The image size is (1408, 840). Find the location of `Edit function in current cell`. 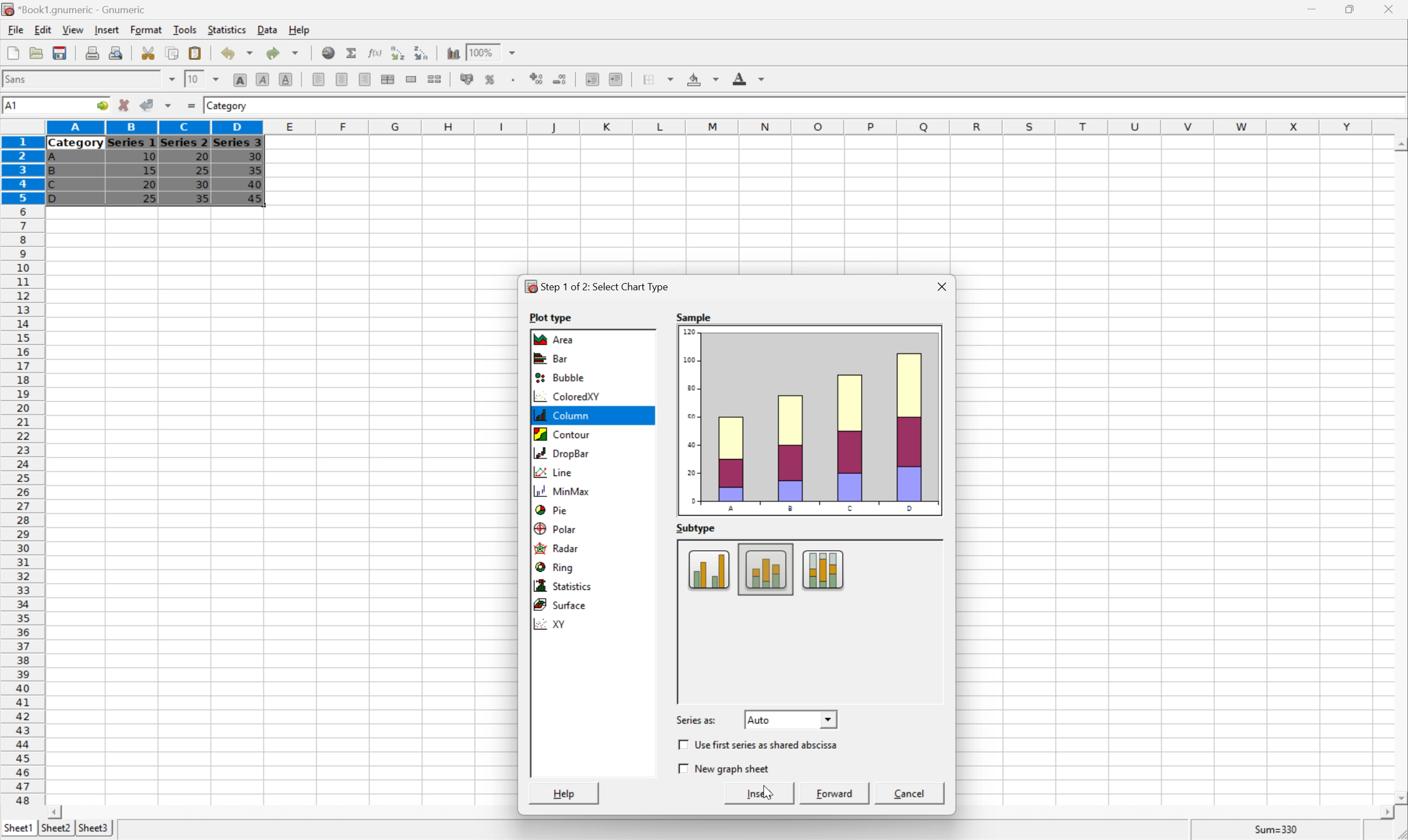

Edit function in current cell is located at coordinates (376, 53).